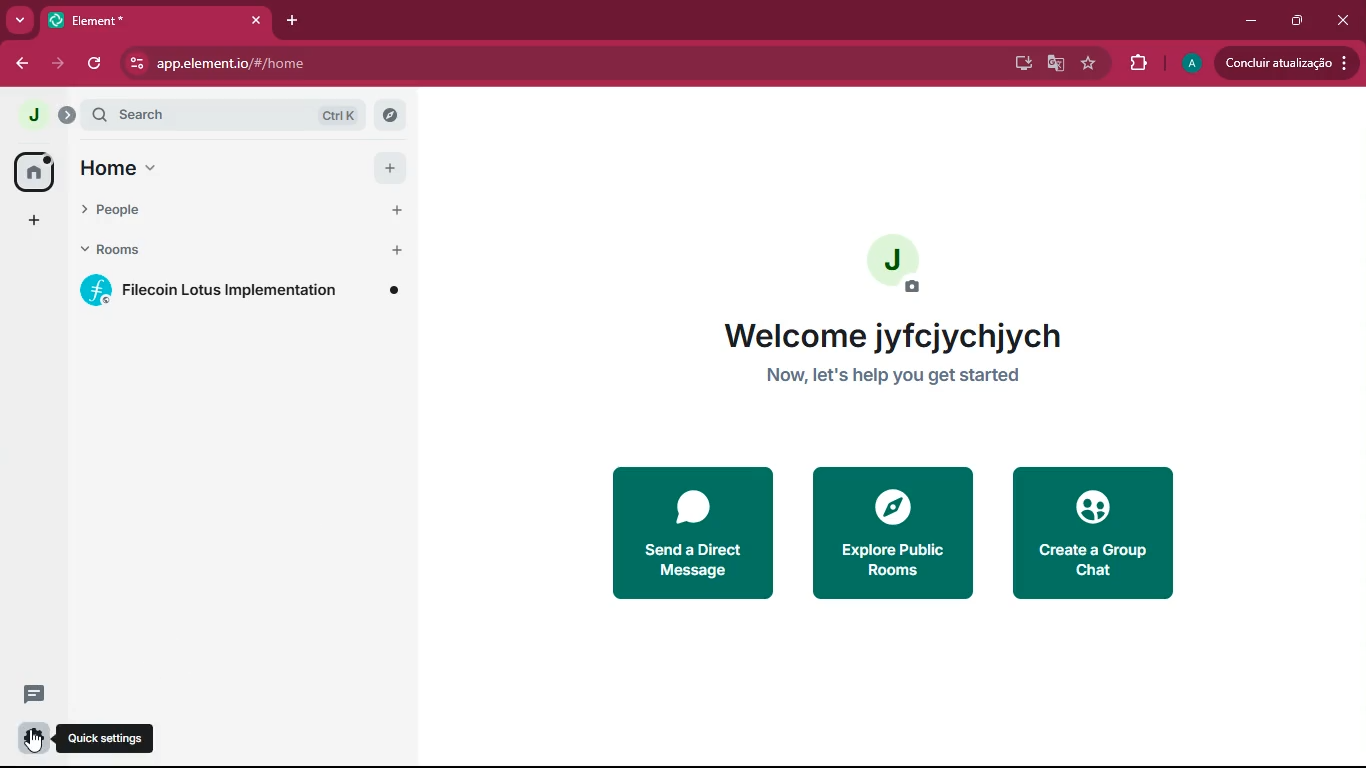 The width and height of the screenshot is (1366, 768). Describe the element at coordinates (398, 250) in the screenshot. I see `add button` at that location.